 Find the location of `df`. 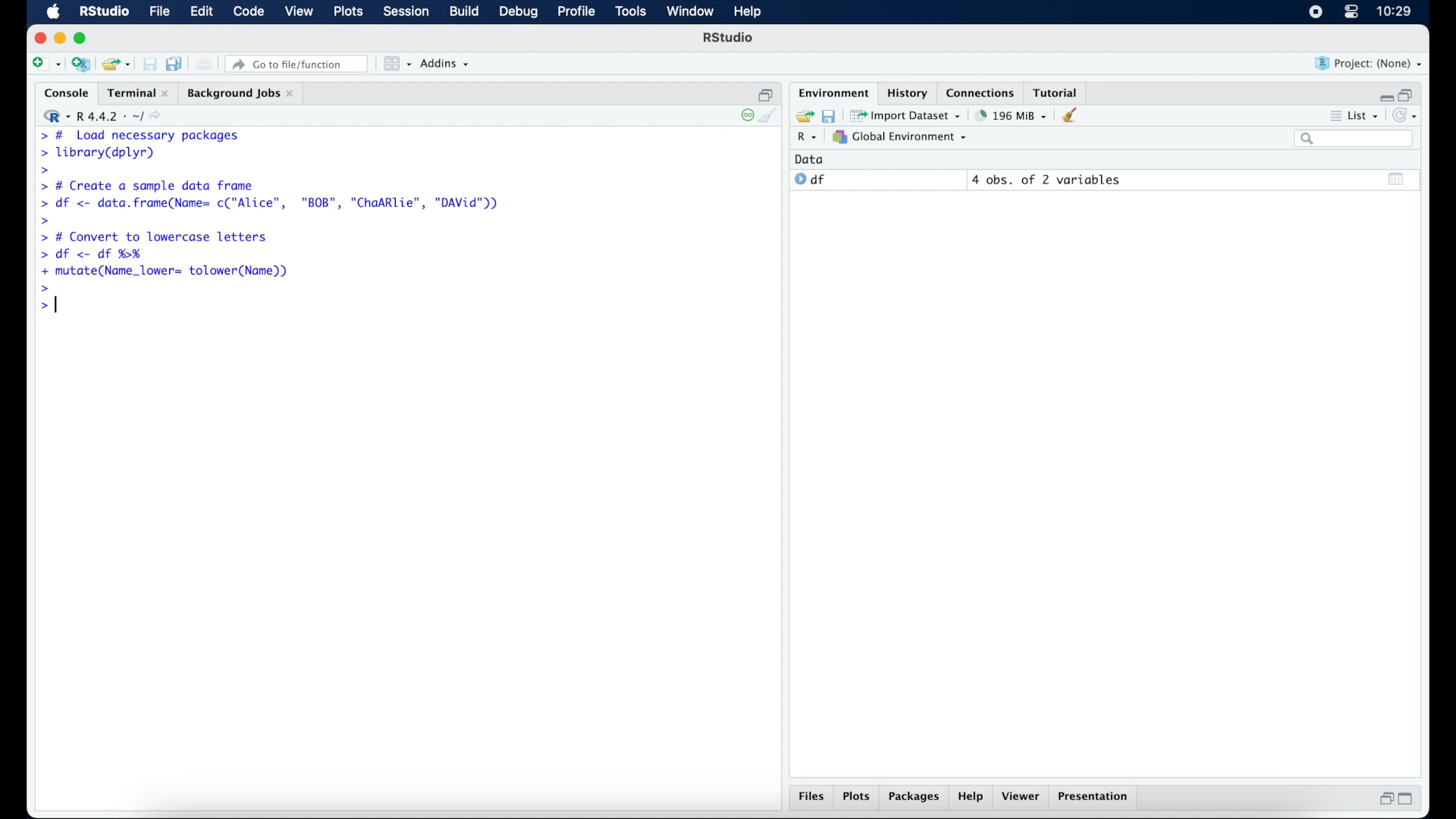

df is located at coordinates (810, 180).